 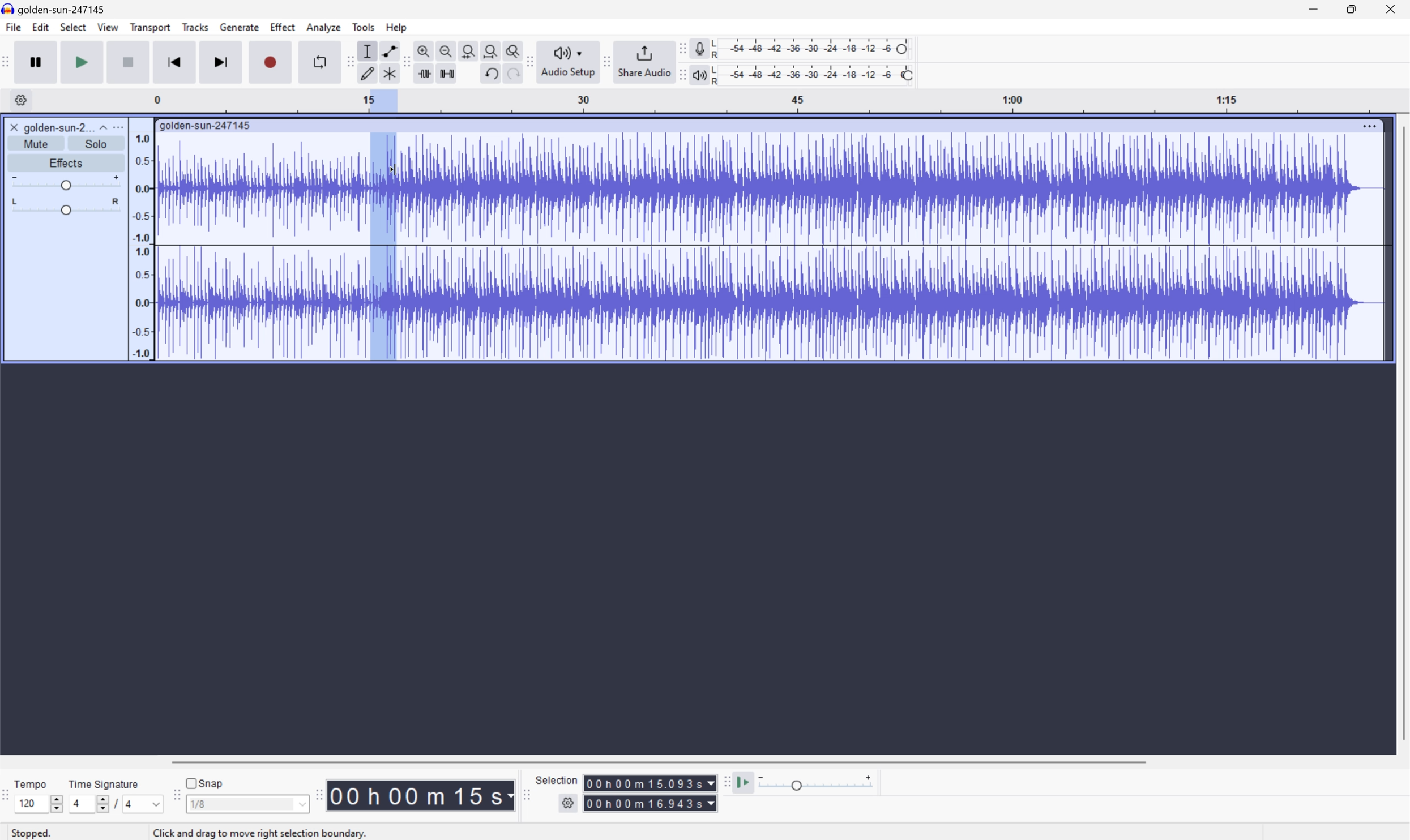 What do you see at coordinates (782, 101) in the screenshot?
I see `Scale` at bounding box center [782, 101].